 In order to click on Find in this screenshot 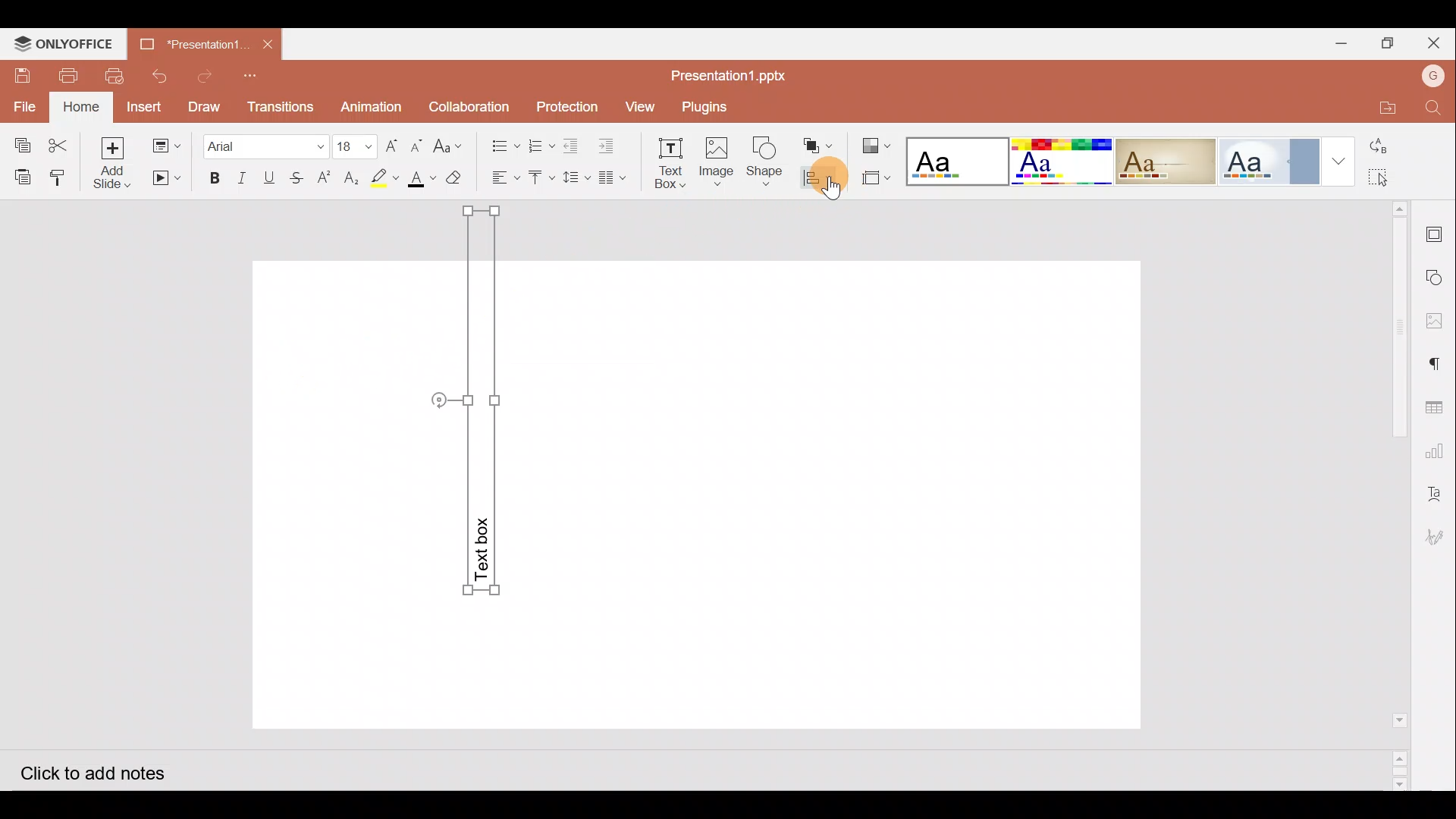, I will do `click(1433, 109)`.